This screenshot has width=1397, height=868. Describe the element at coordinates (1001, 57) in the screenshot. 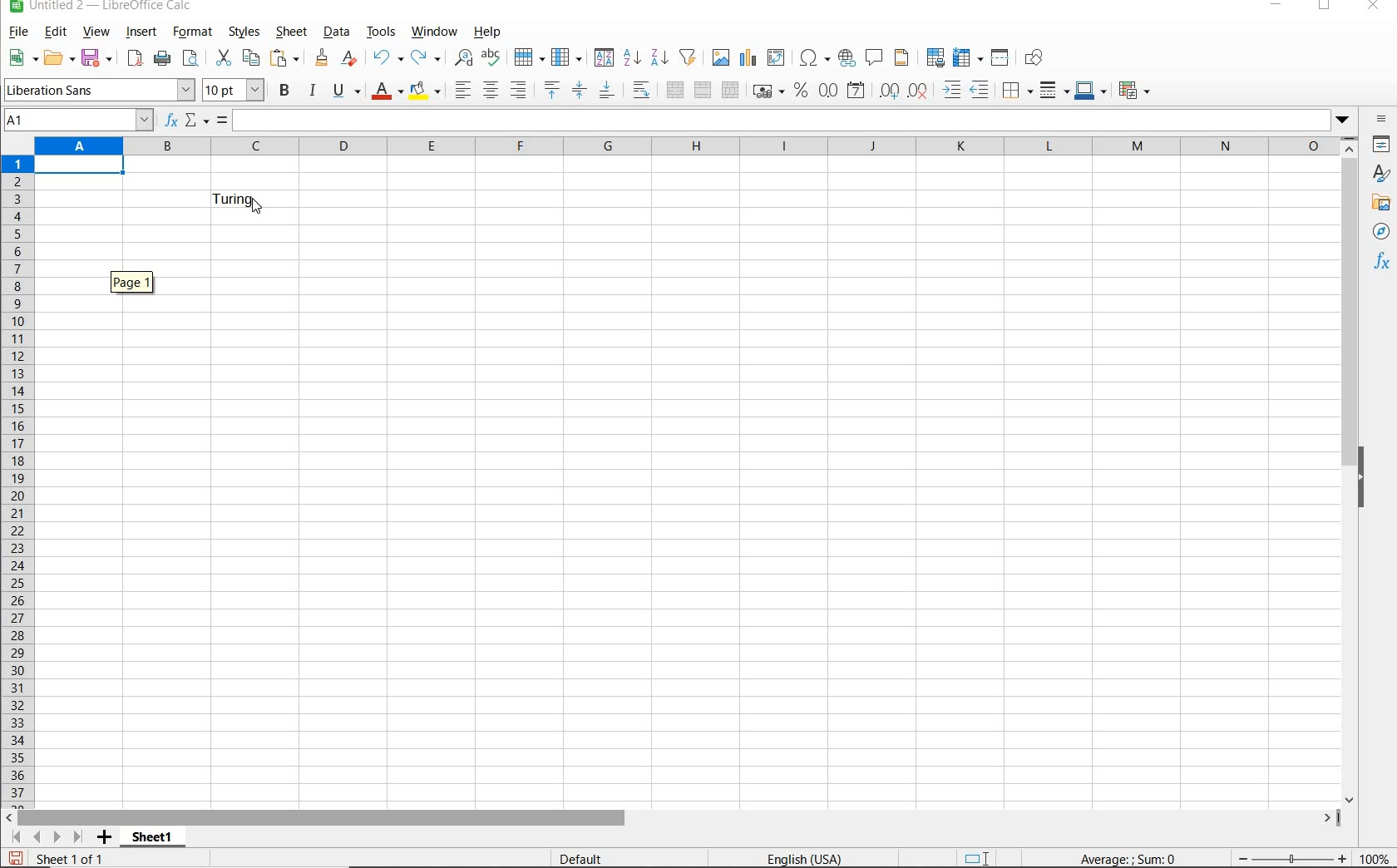

I see `SPLIT WINDOW` at that location.